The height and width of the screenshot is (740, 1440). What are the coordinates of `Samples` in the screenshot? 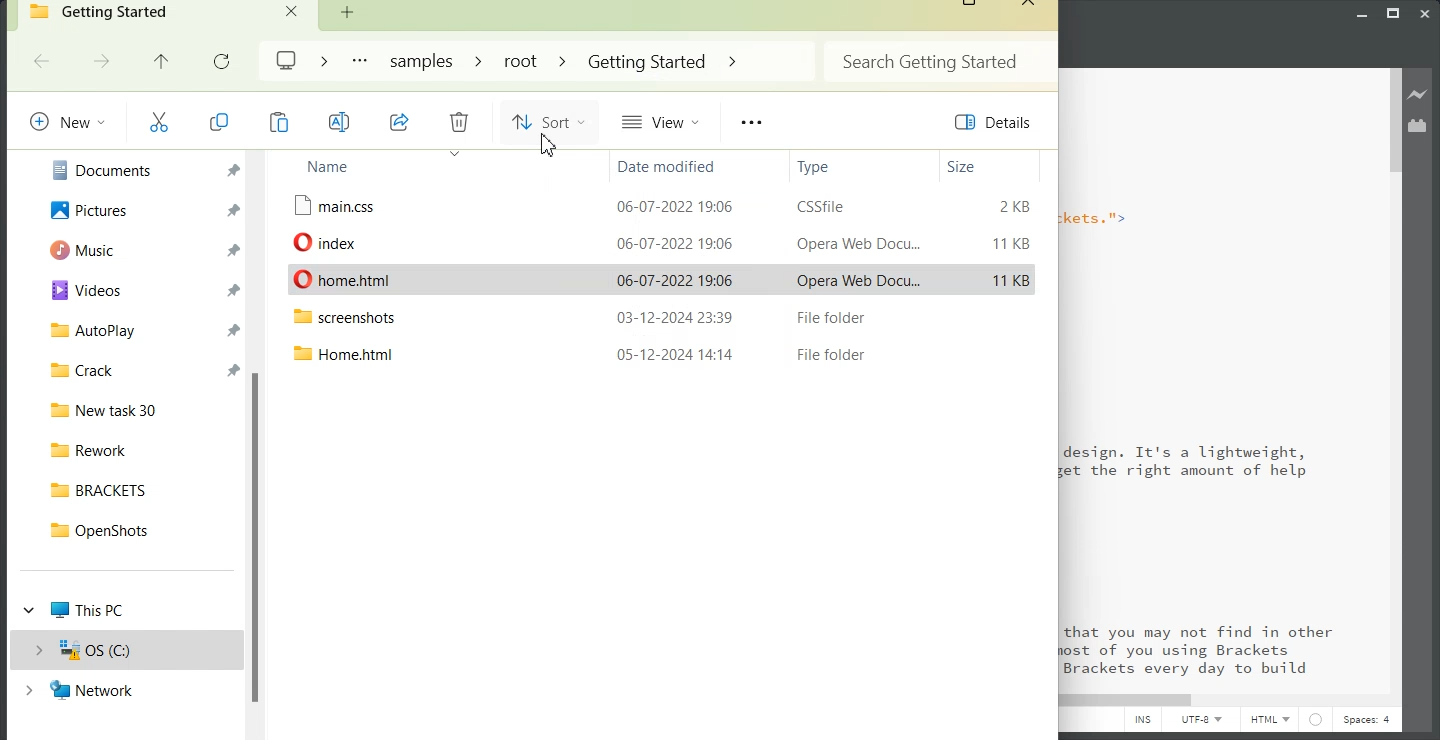 It's located at (424, 61).